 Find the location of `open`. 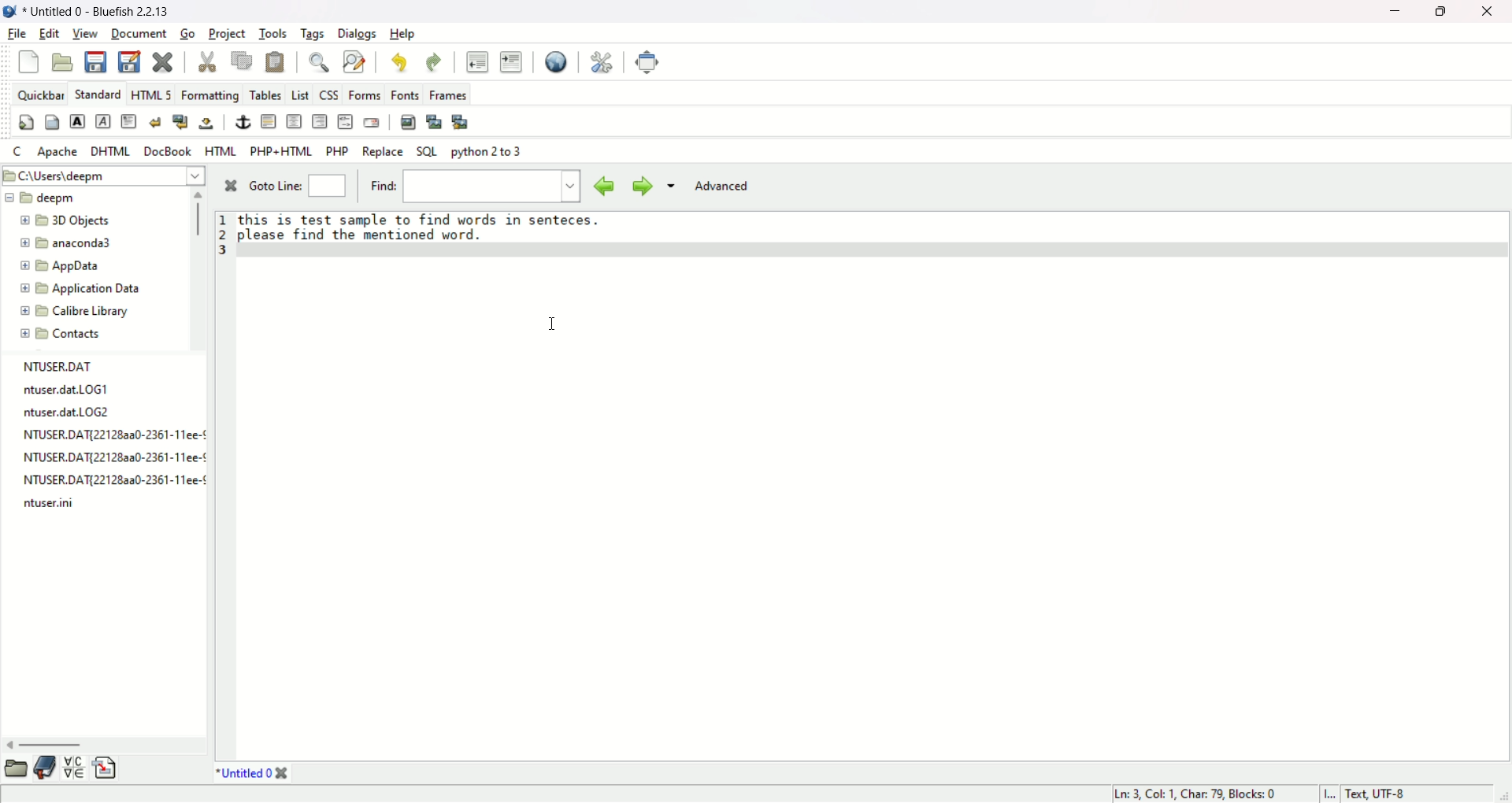

open is located at coordinates (64, 61).